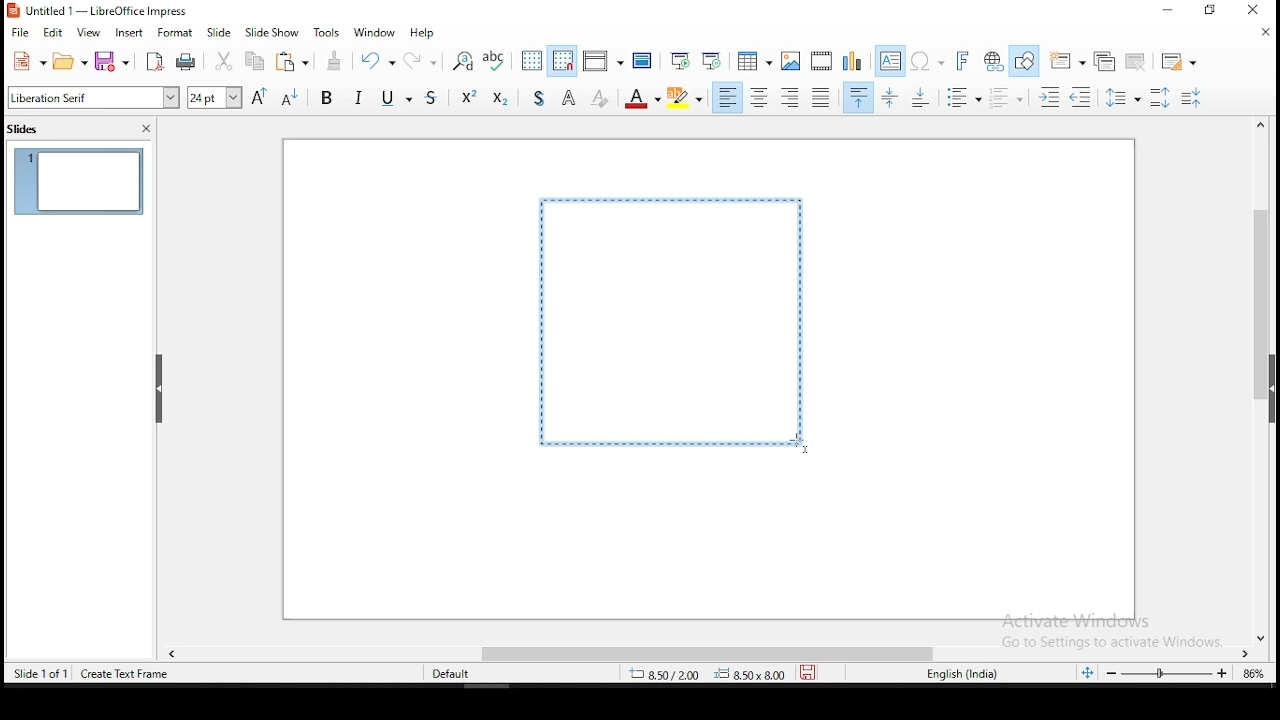 This screenshot has width=1280, height=720. Describe the element at coordinates (959, 673) in the screenshot. I see `english (india)` at that location.